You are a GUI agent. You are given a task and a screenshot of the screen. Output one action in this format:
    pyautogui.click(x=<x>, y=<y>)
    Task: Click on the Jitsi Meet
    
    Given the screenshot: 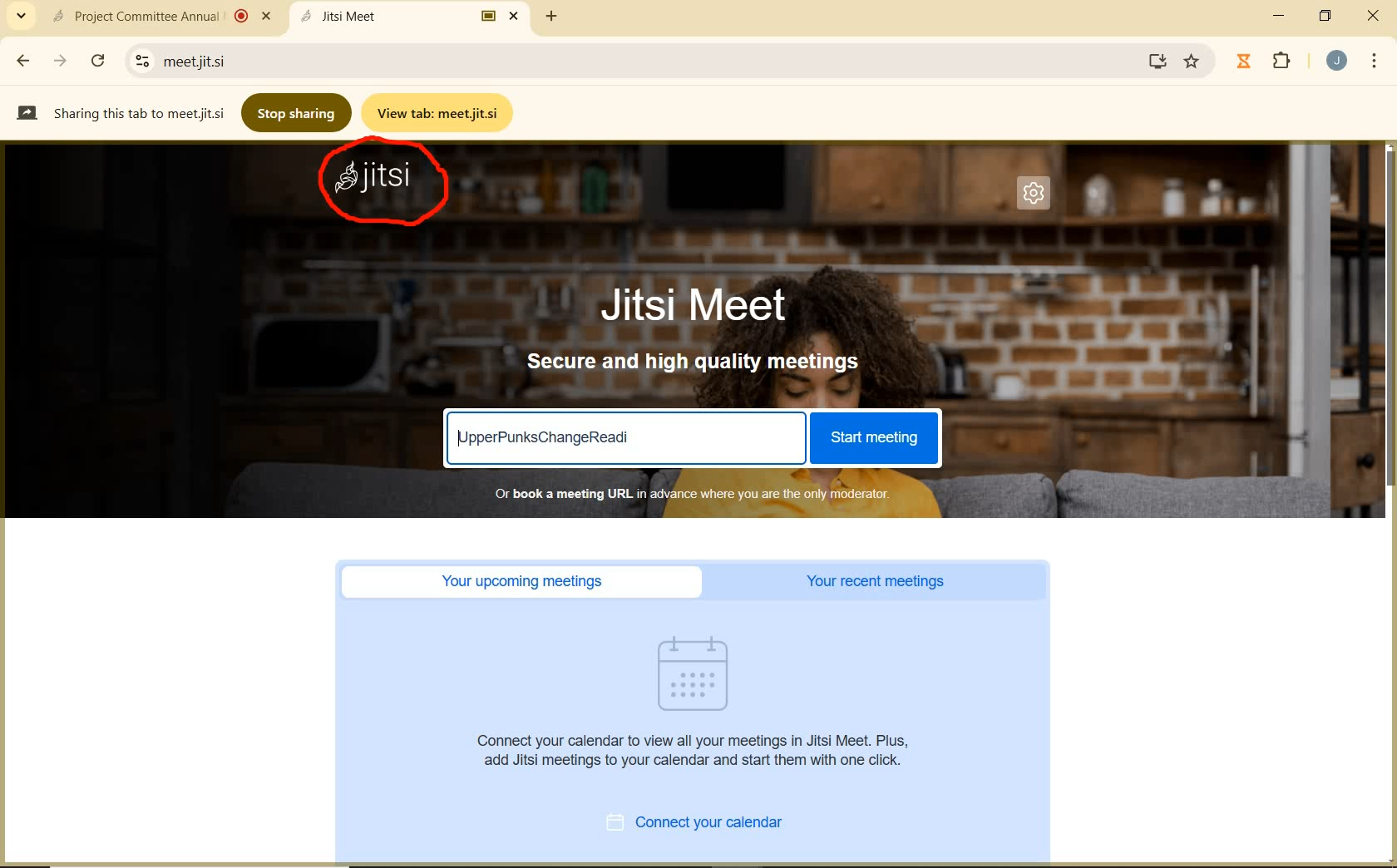 What is the action you would take?
    pyautogui.click(x=412, y=16)
    